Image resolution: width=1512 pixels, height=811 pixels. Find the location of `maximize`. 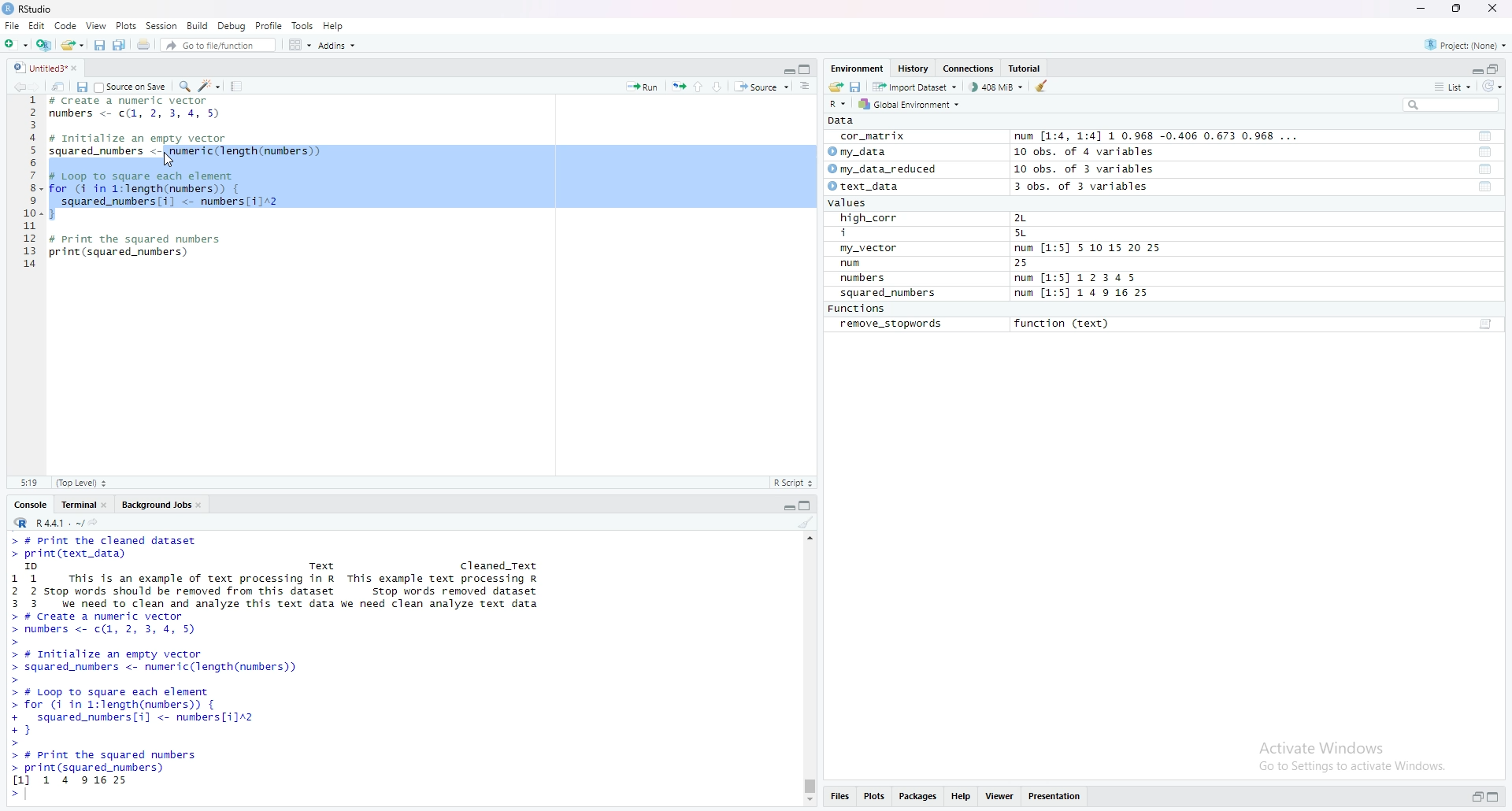

maximize is located at coordinates (808, 504).